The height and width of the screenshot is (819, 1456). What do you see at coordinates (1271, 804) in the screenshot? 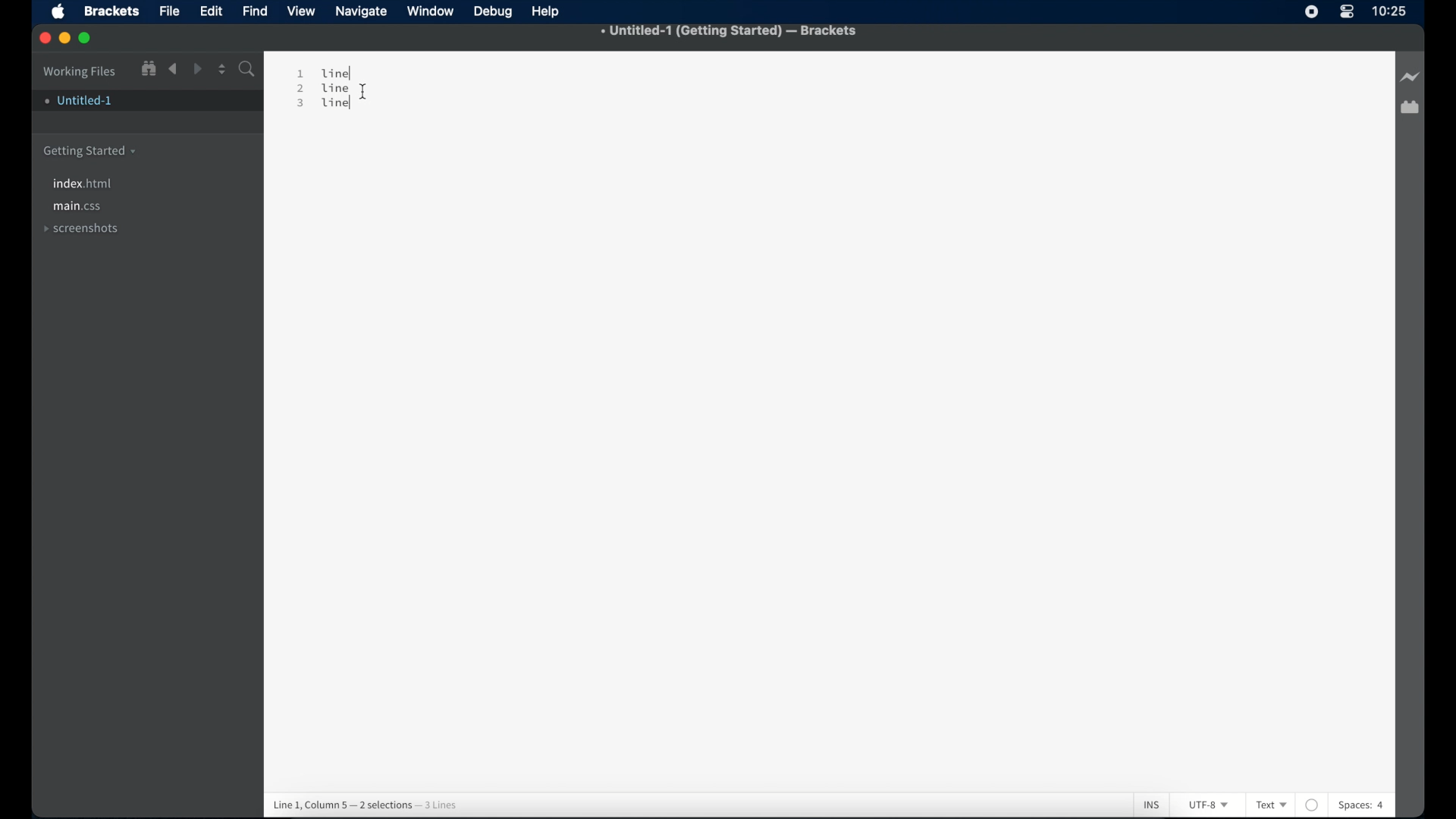
I see `text menu` at bounding box center [1271, 804].